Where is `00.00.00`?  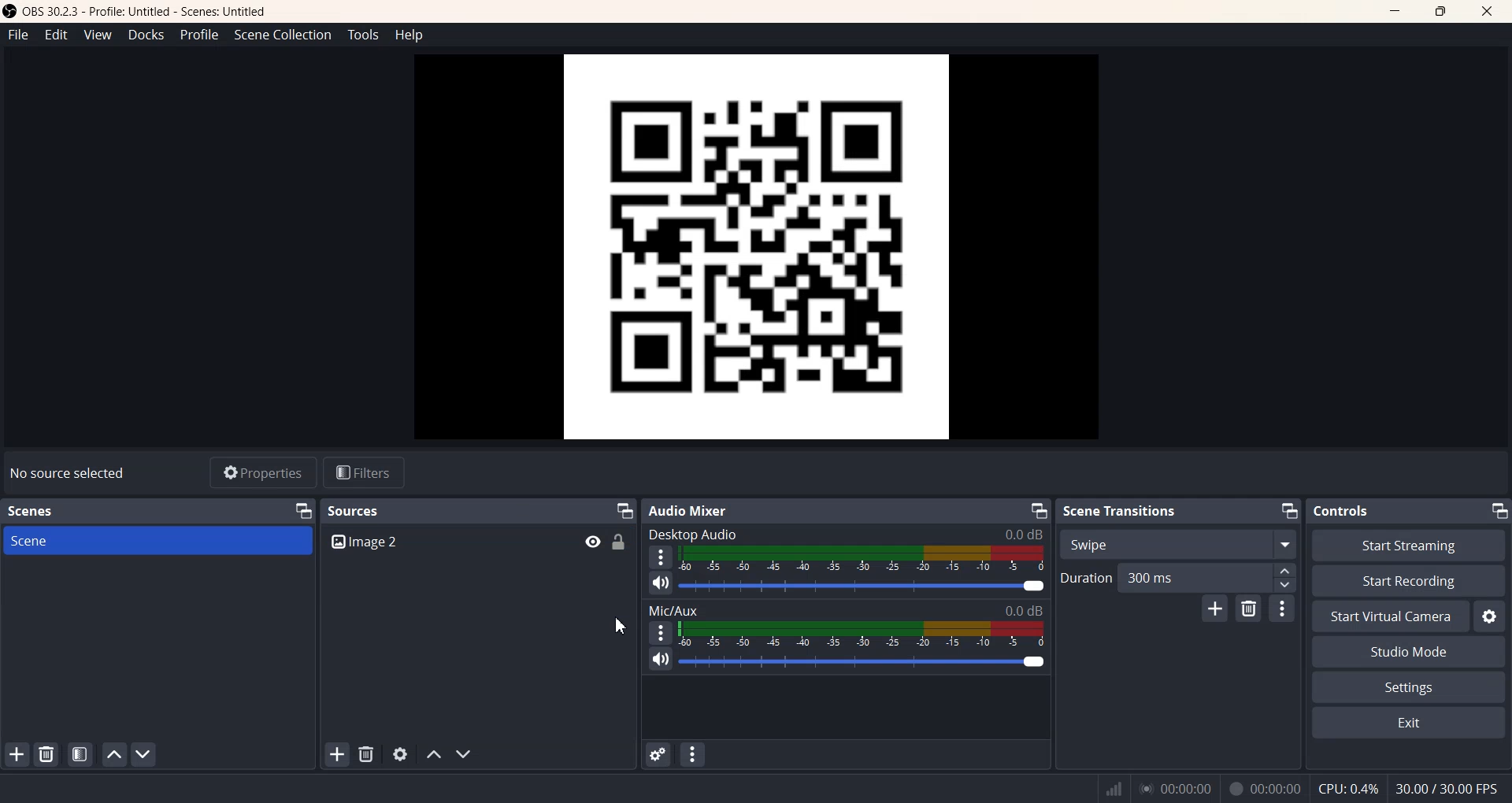 00.00.00 is located at coordinates (1264, 789).